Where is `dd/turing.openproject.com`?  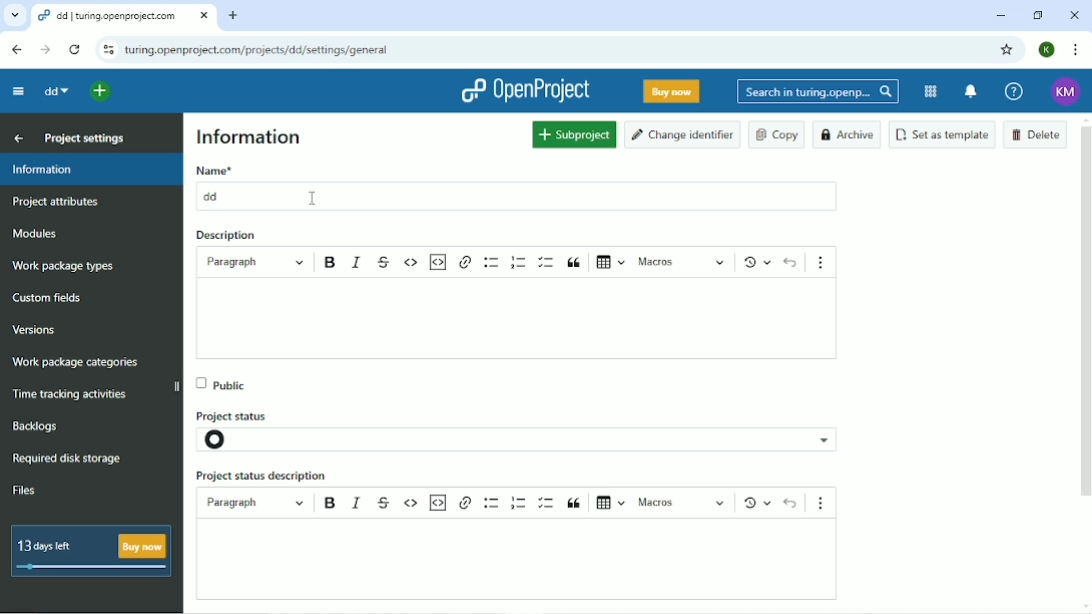
dd/turing.openproject.com is located at coordinates (122, 16).